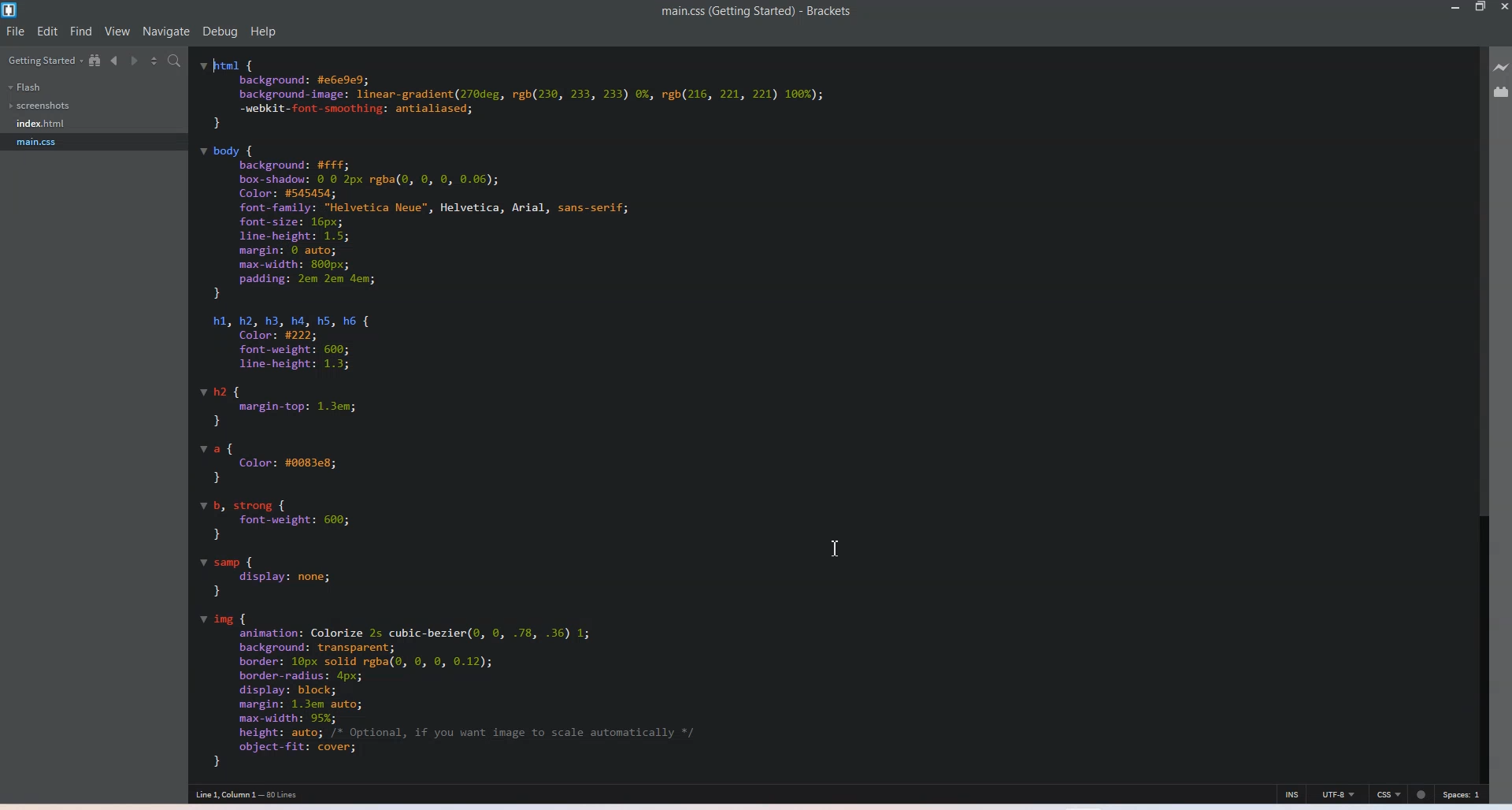  I want to click on View, so click(117, 32).